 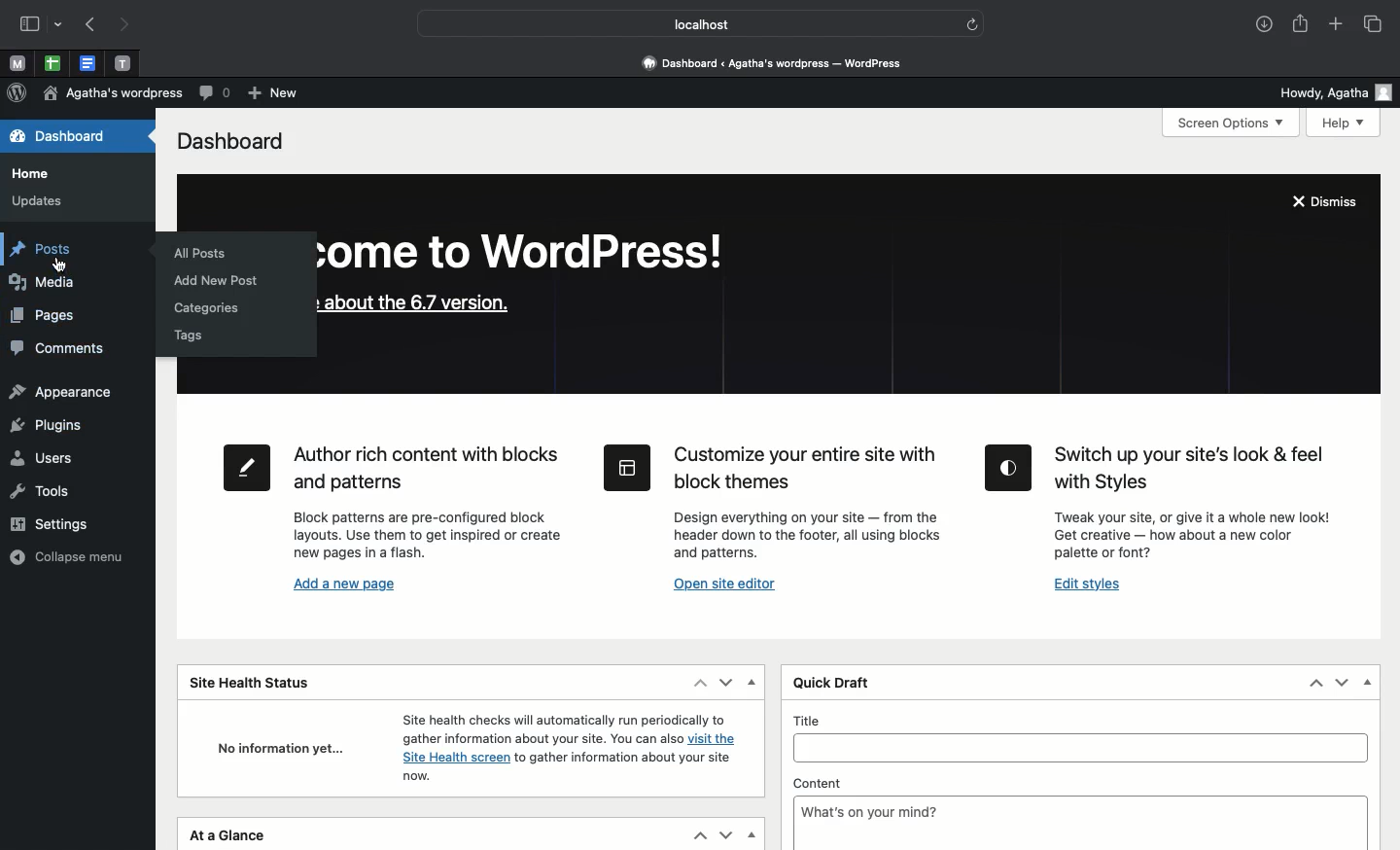 I want to click on Document, so click(x=87, y=64).